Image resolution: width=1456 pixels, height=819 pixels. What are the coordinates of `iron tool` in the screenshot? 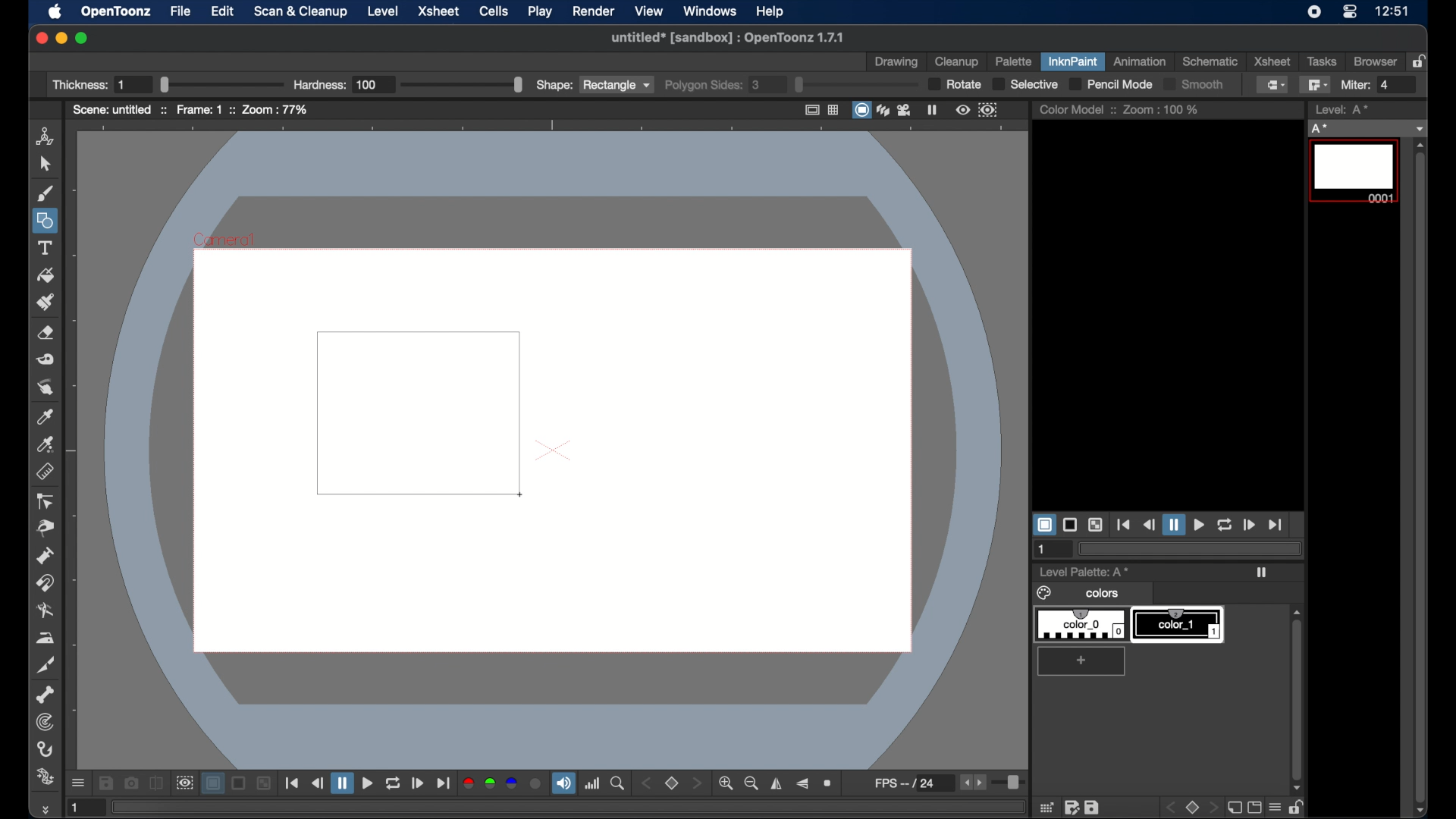 It's located at (45, 639).